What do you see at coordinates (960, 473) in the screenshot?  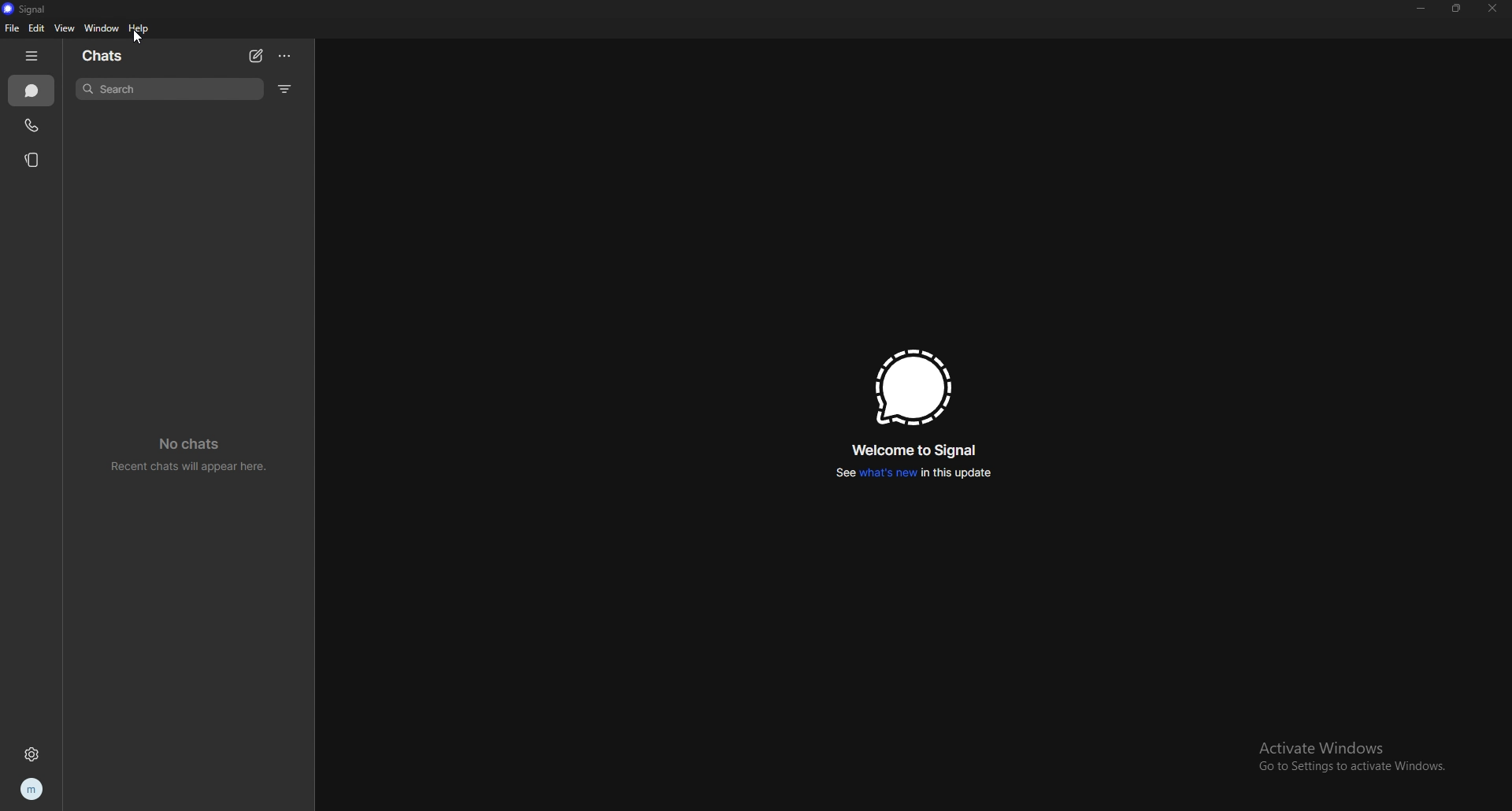 I see `in this update` at bounding box center [960, 473].